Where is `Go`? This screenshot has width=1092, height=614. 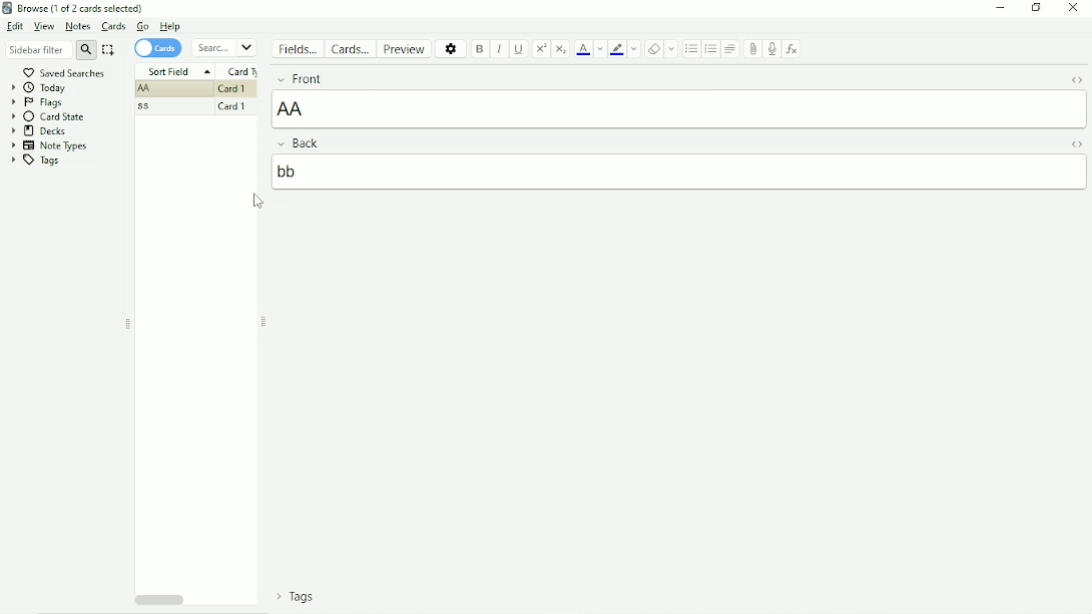
Go is located at coordinates (143, 27).